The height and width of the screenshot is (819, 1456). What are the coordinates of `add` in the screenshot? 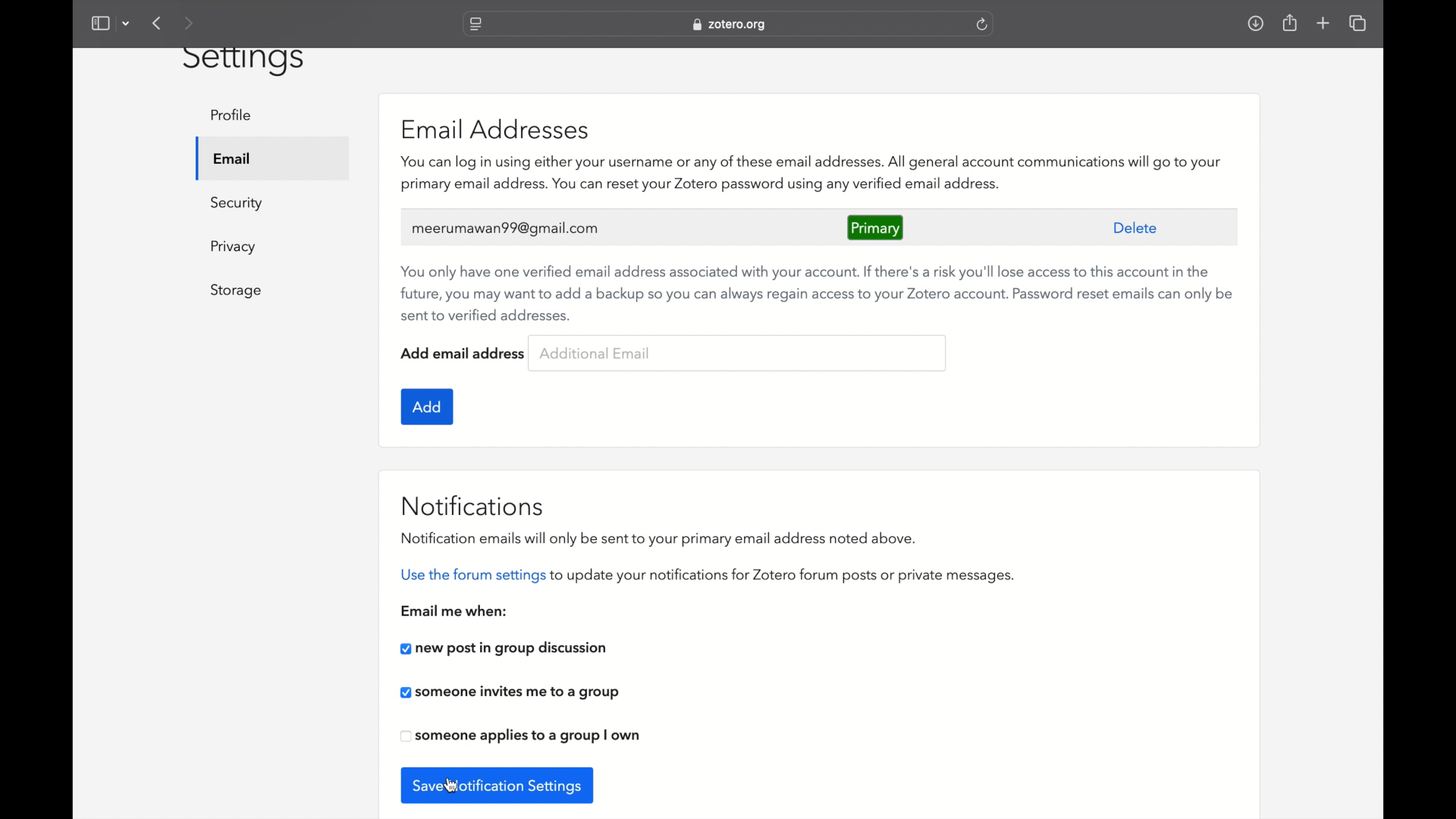 It's located at (428, 406).